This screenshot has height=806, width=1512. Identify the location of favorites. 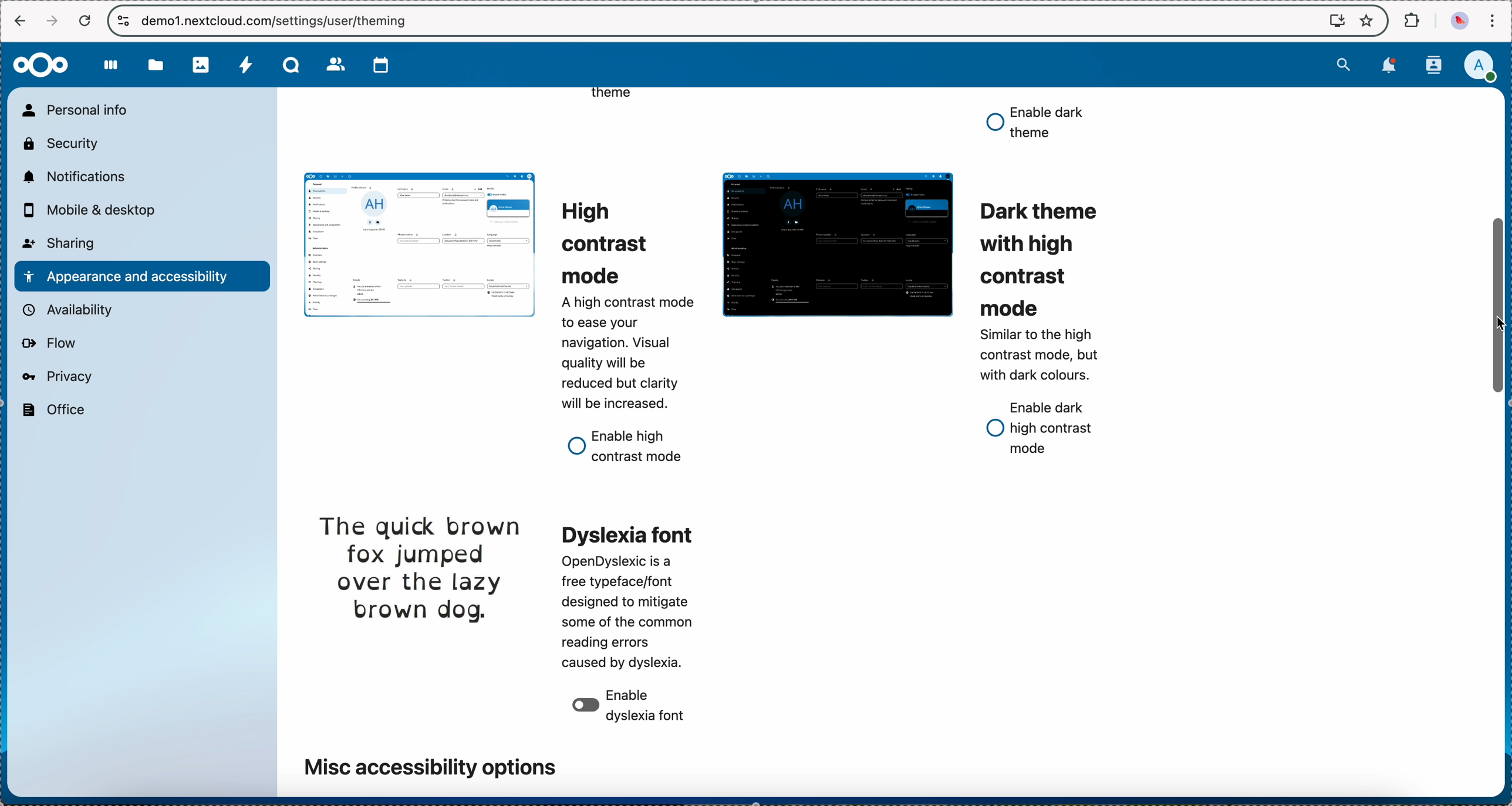
(1368, 19).